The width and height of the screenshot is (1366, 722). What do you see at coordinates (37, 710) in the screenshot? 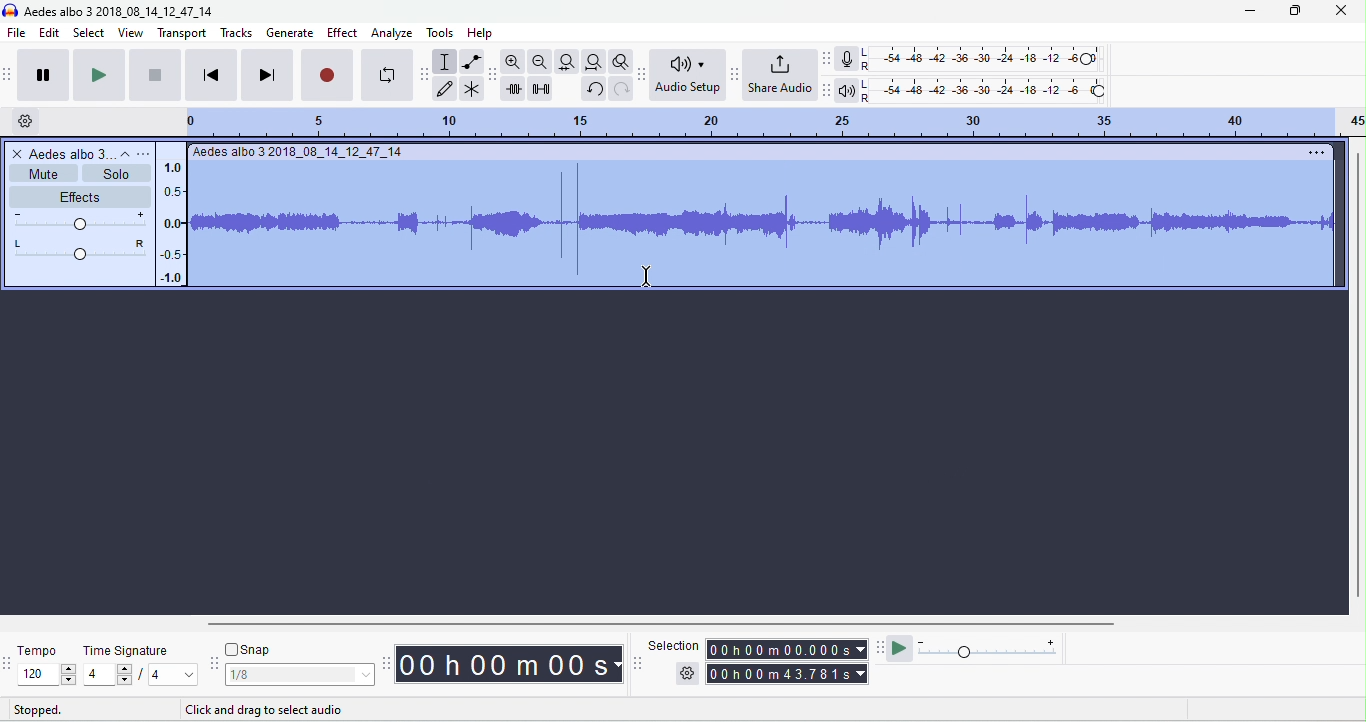
I see `stopped` at bounding box center [37, 710].